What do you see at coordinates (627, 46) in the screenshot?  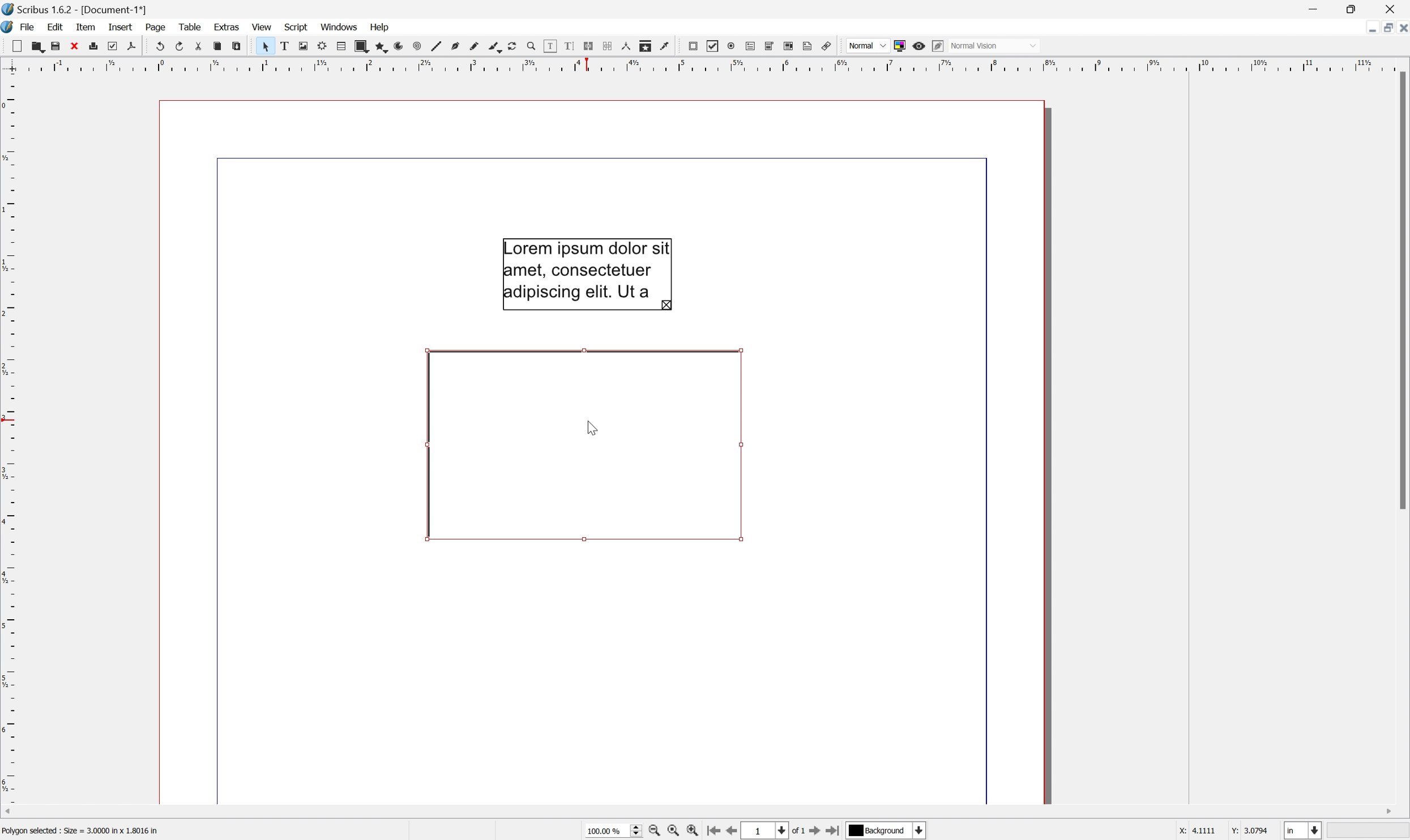 I see `Measurements` at bounding box center [627, 46].